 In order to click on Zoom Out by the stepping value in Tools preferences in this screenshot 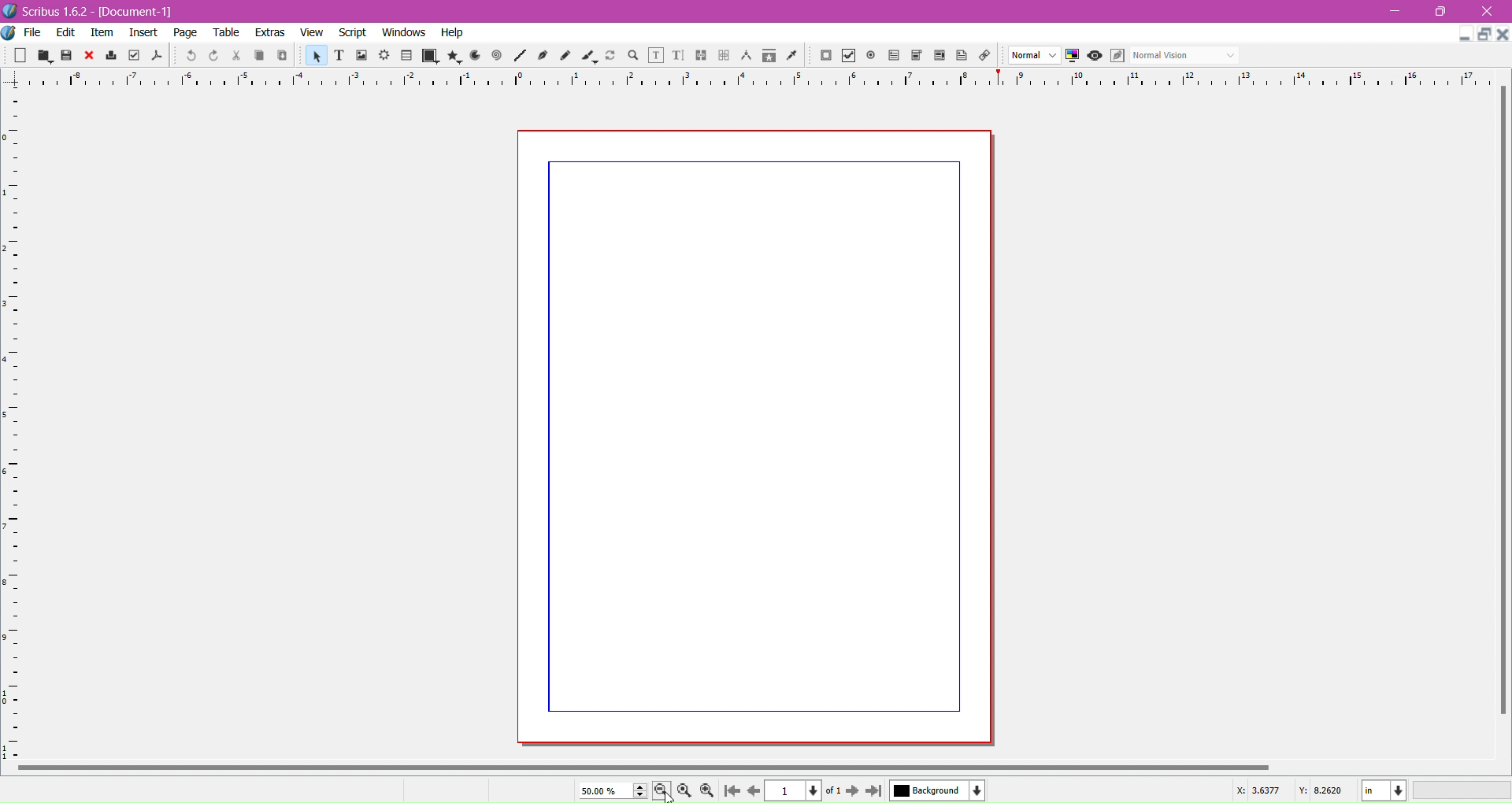, I will do `click(662, 791)`.